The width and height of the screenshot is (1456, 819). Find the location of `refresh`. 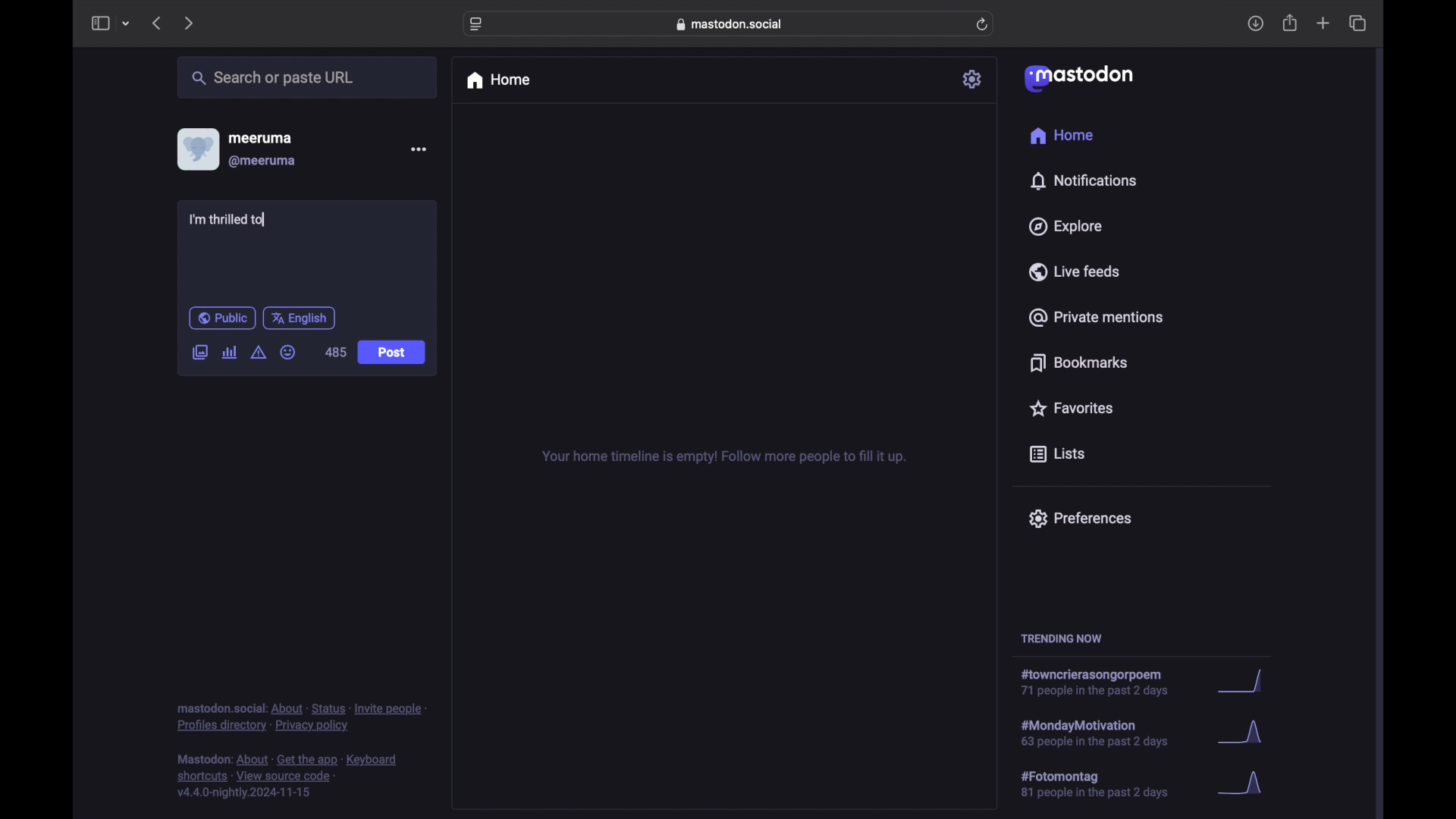

refresh is located at coordinates (982, 24).